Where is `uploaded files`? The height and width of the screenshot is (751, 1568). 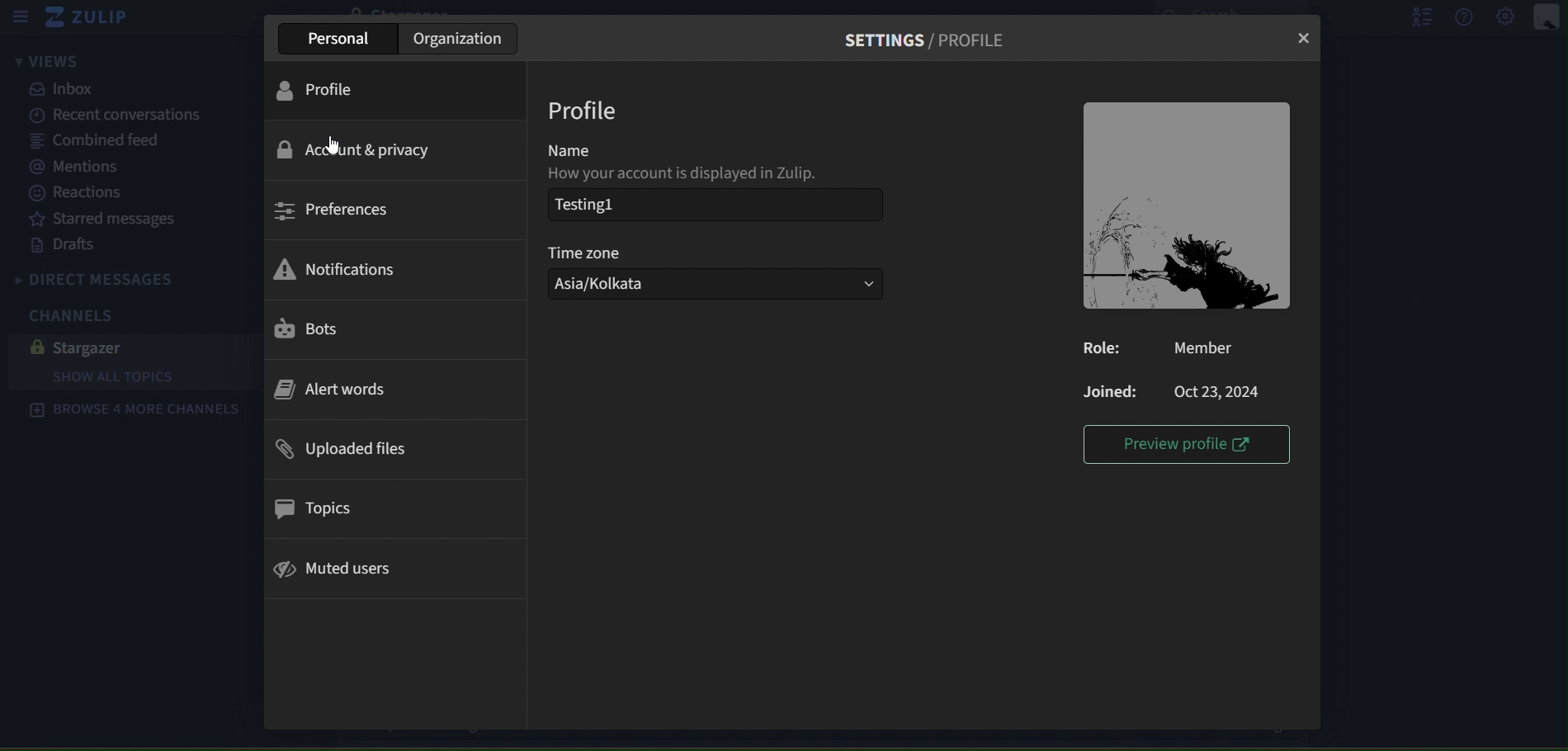 uploaded files is located at coordinates (342, 450).